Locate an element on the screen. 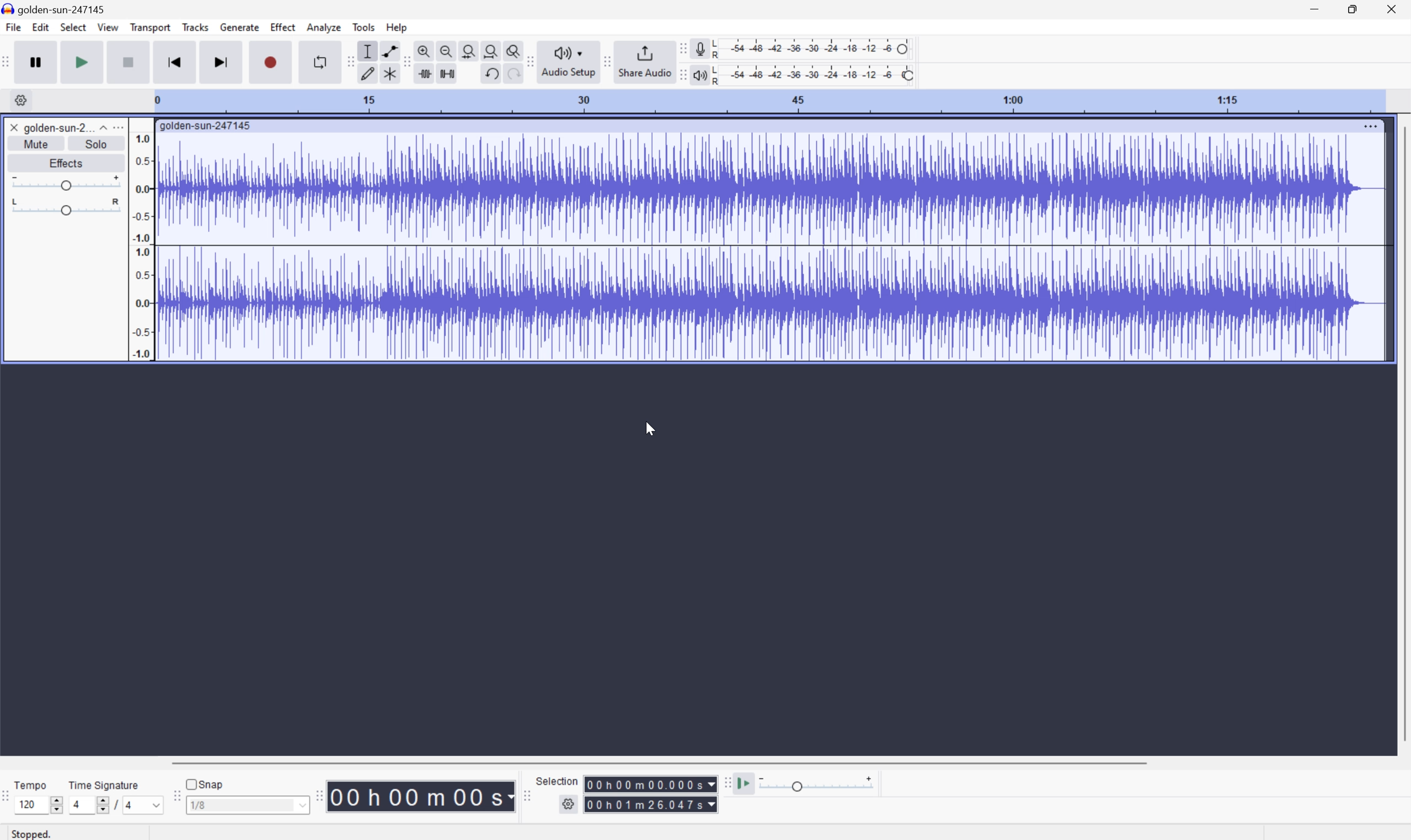 The height and width of the screenshot is (840, 1411). Restore Down is located at coordinates (1352, 10).